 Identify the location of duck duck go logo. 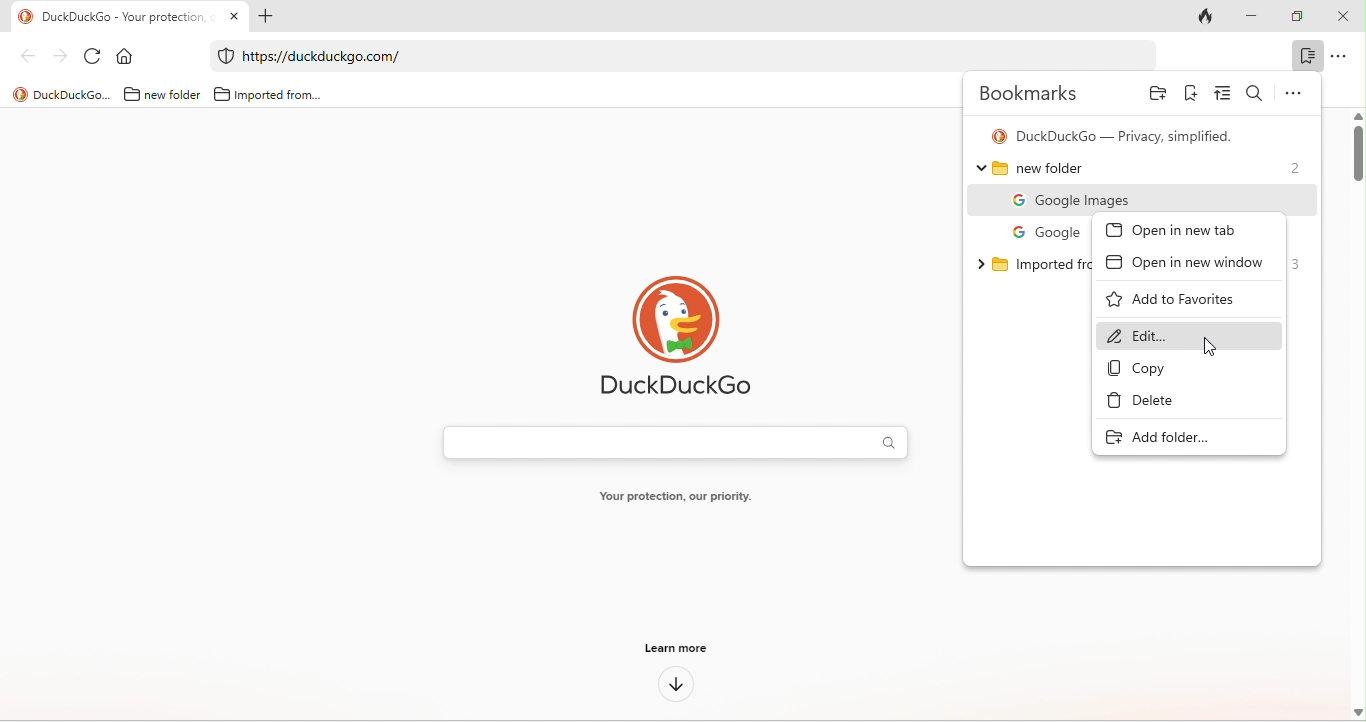
(676, 338).